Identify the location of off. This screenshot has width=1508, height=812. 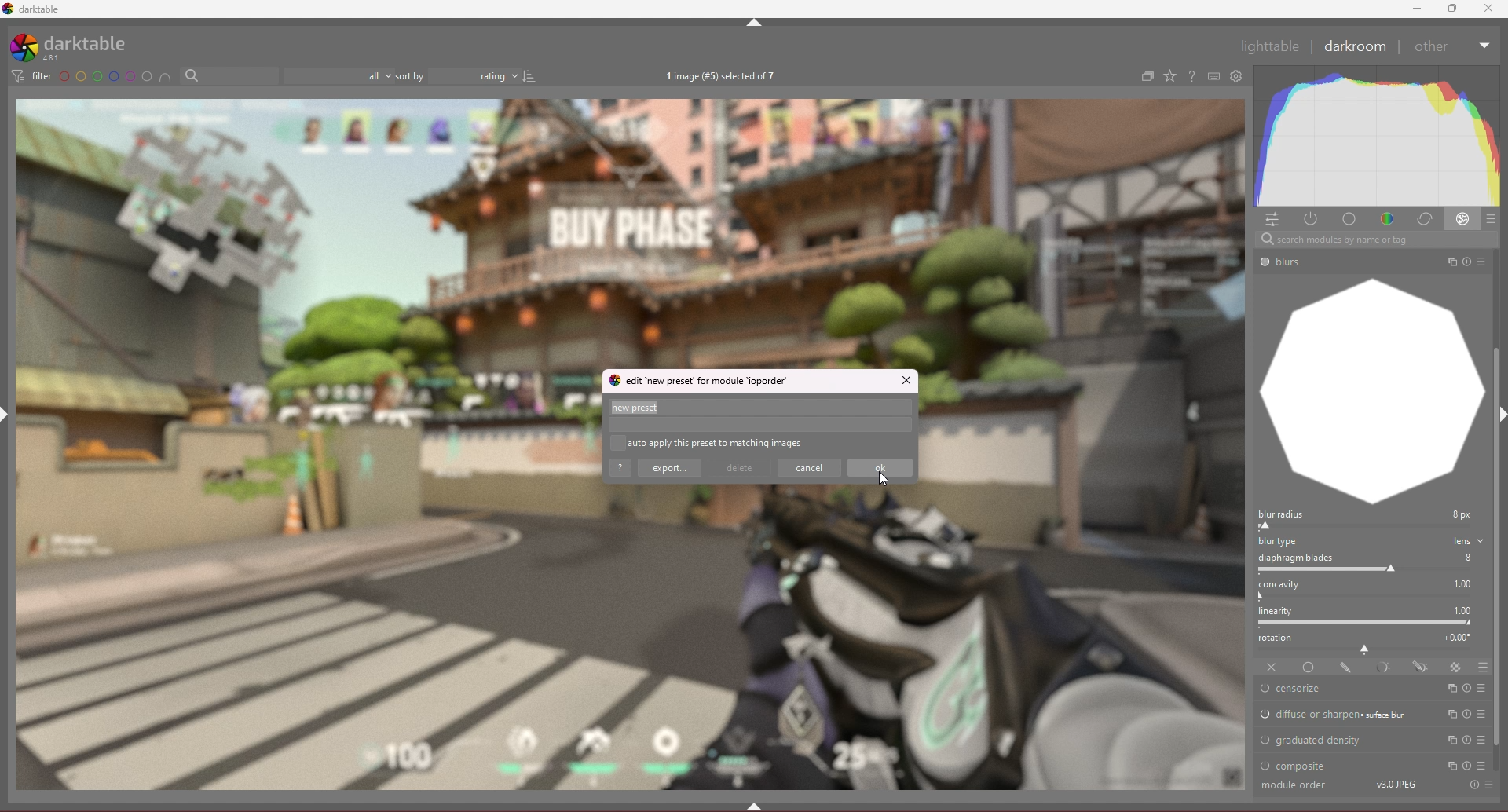
(1272, 668).